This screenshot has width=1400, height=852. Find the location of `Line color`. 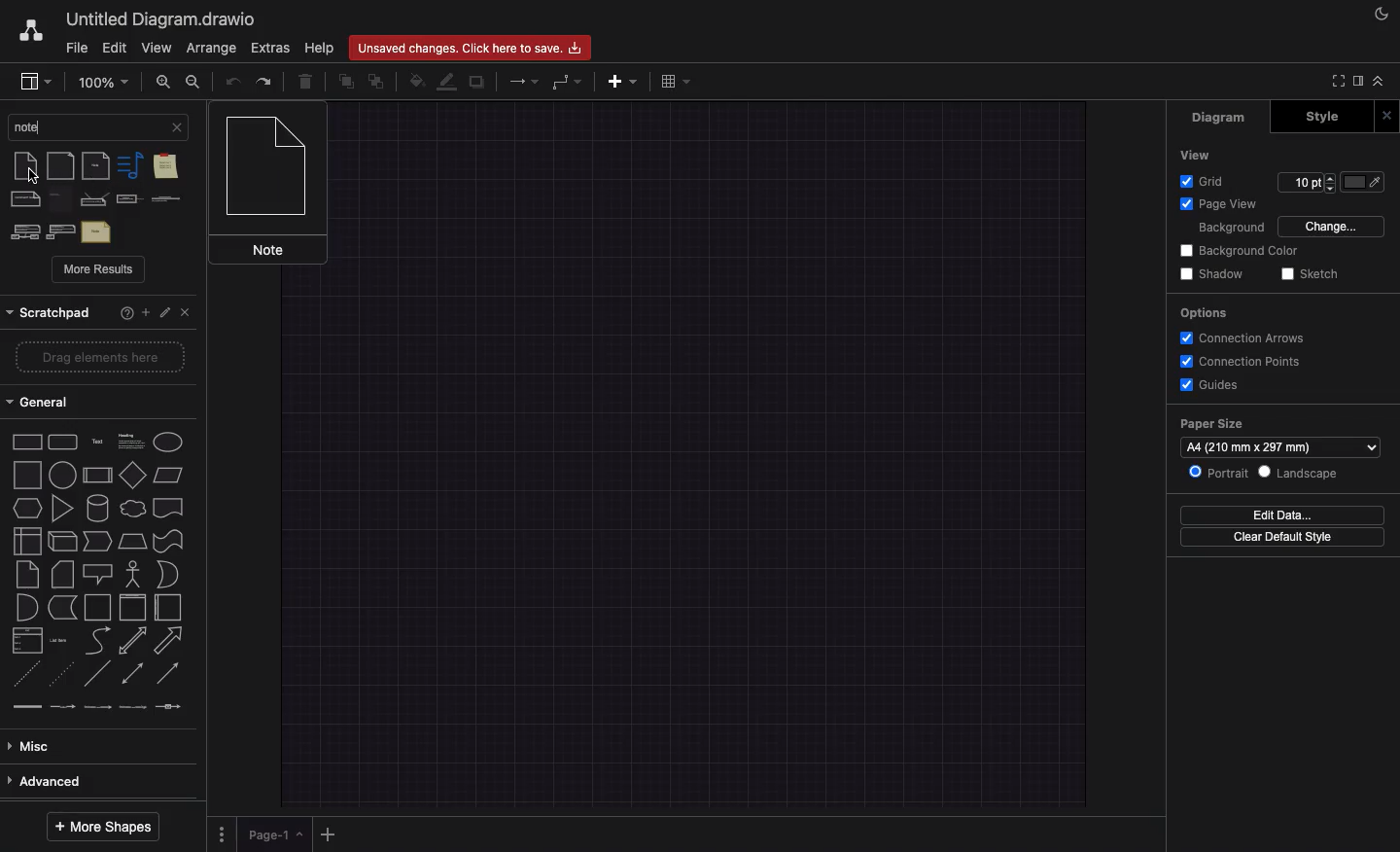

Line color is located at coordinates (447, 81).